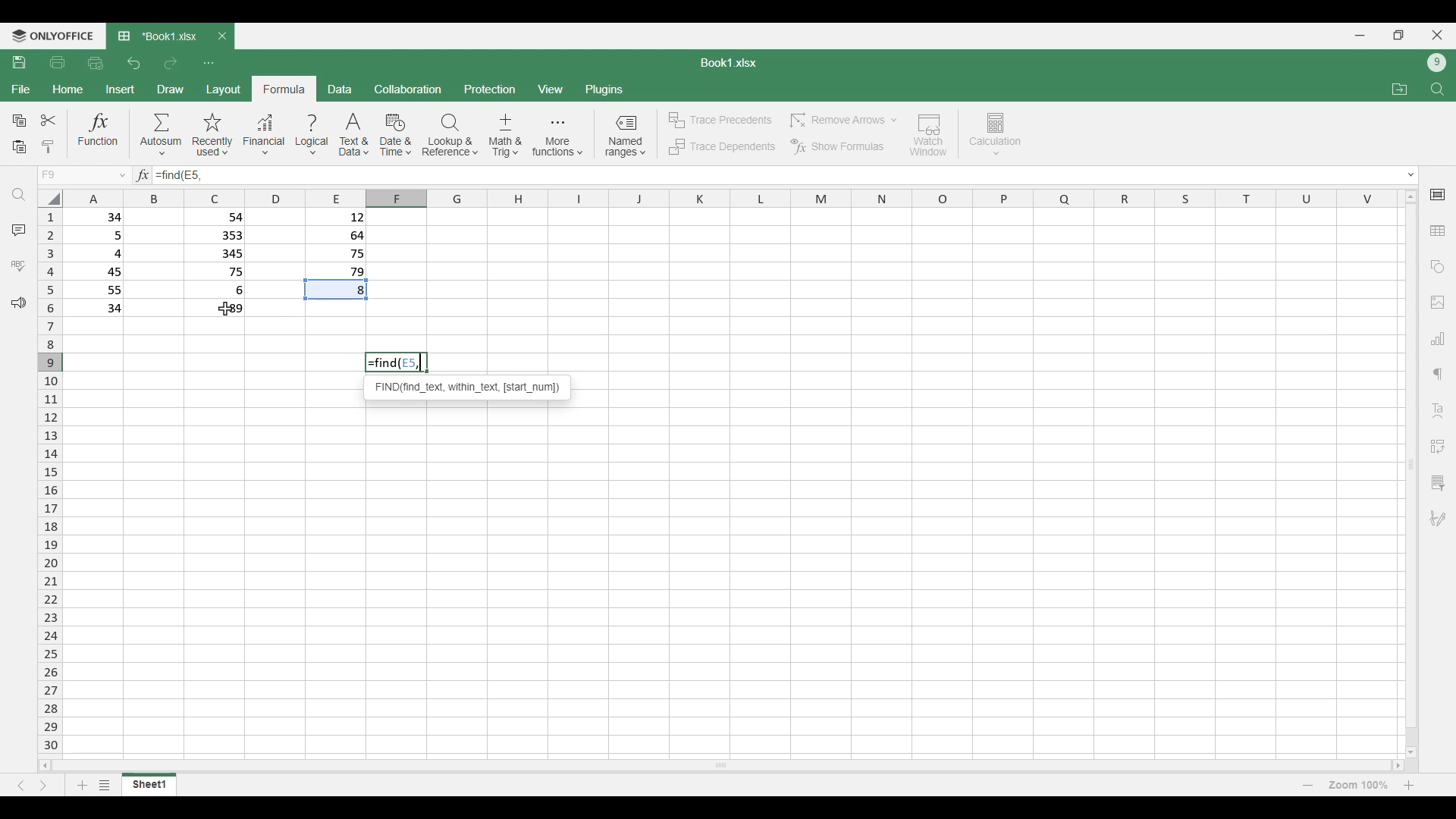 This screenshot has height=819, width=1456. What do you see at coordinates (1438, 338) in the screenshot?
I see `Insert chart` at bounding box center [1438, 338].